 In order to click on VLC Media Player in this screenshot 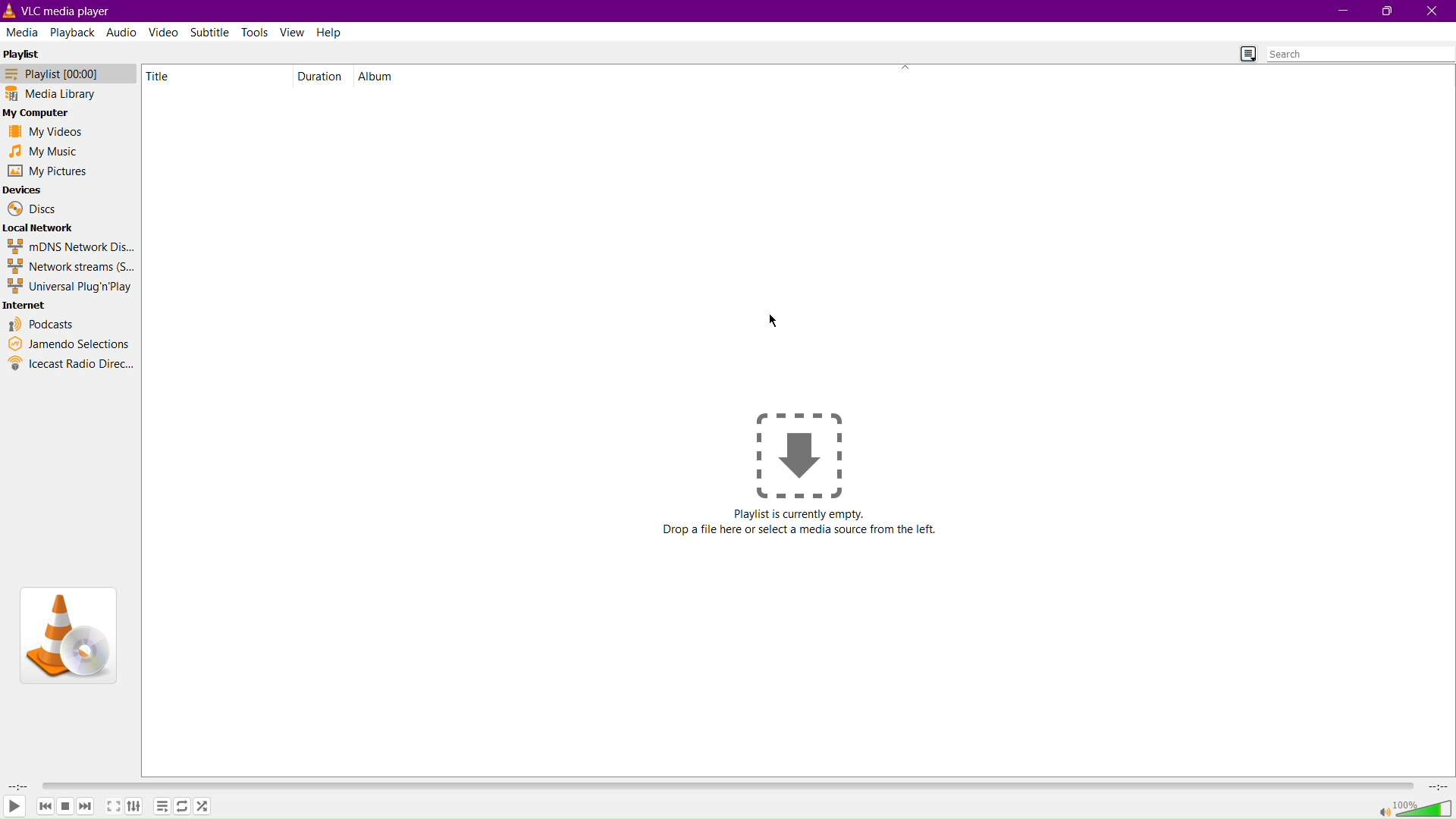, I will do `click(74, 10)`.